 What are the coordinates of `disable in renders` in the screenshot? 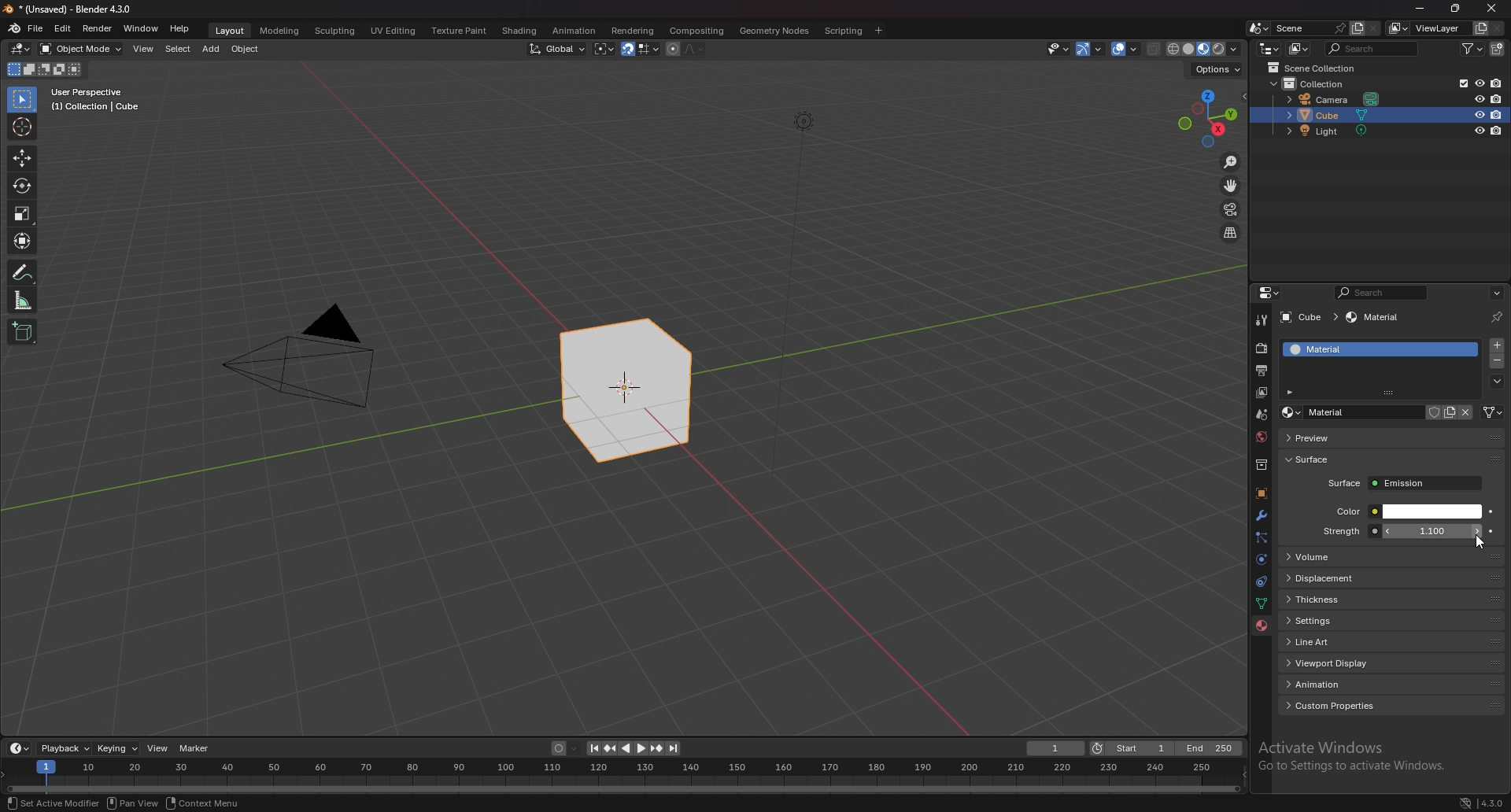 It's located at (1497, 83).